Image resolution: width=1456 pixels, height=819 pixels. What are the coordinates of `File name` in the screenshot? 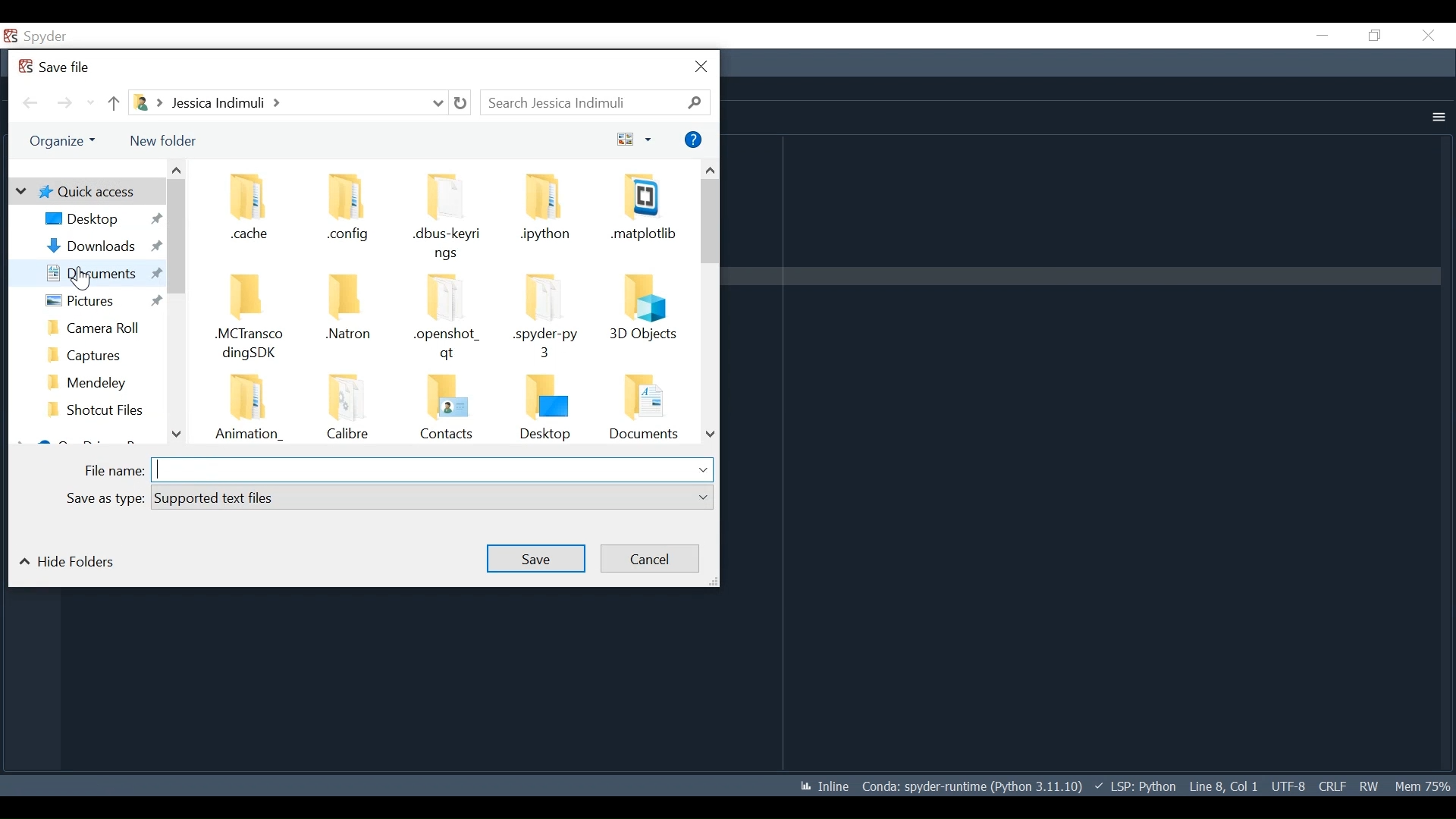 It's located at (398, 468).